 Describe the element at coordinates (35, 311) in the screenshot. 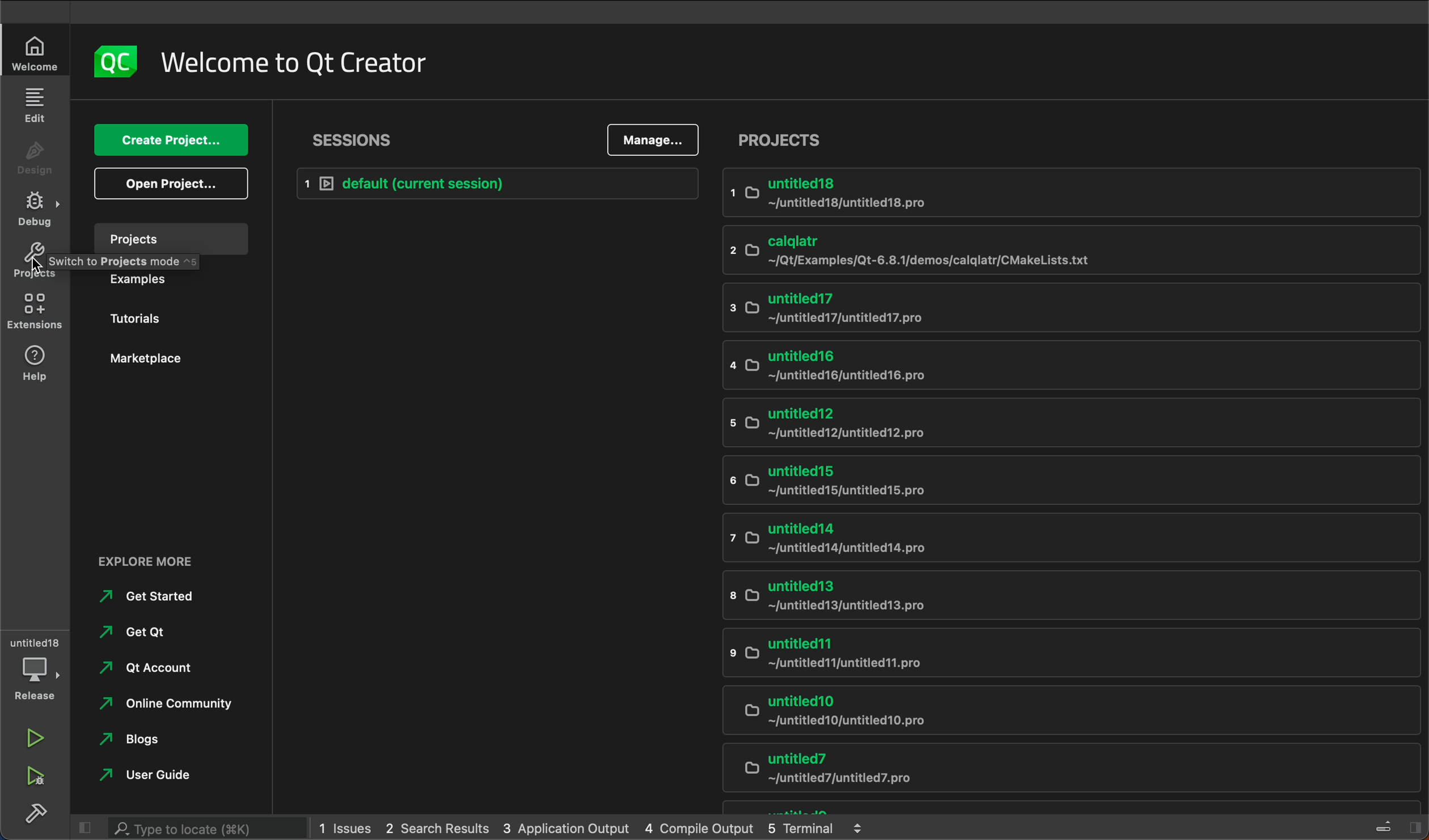

I see `extensions` at that location.